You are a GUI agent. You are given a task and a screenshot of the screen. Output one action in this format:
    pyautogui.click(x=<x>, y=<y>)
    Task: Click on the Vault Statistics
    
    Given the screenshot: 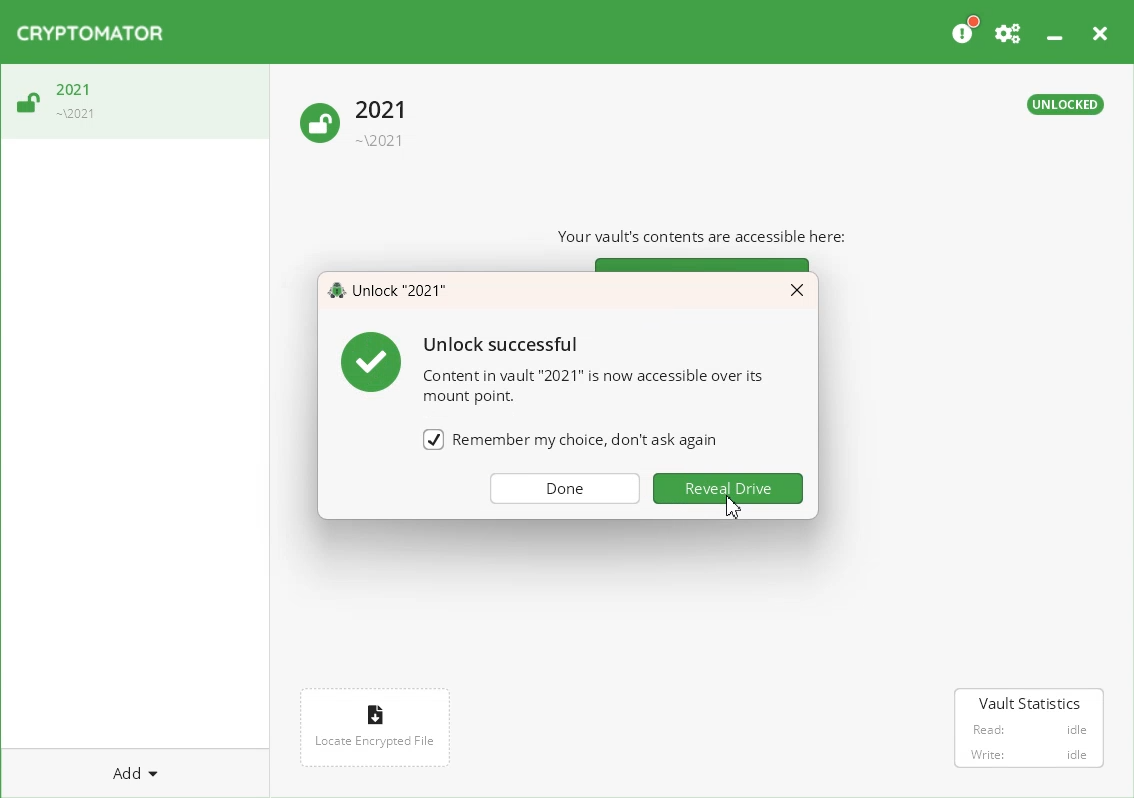 What is the action you would take?
    pyautogui.click(x=1030, y=730)
    